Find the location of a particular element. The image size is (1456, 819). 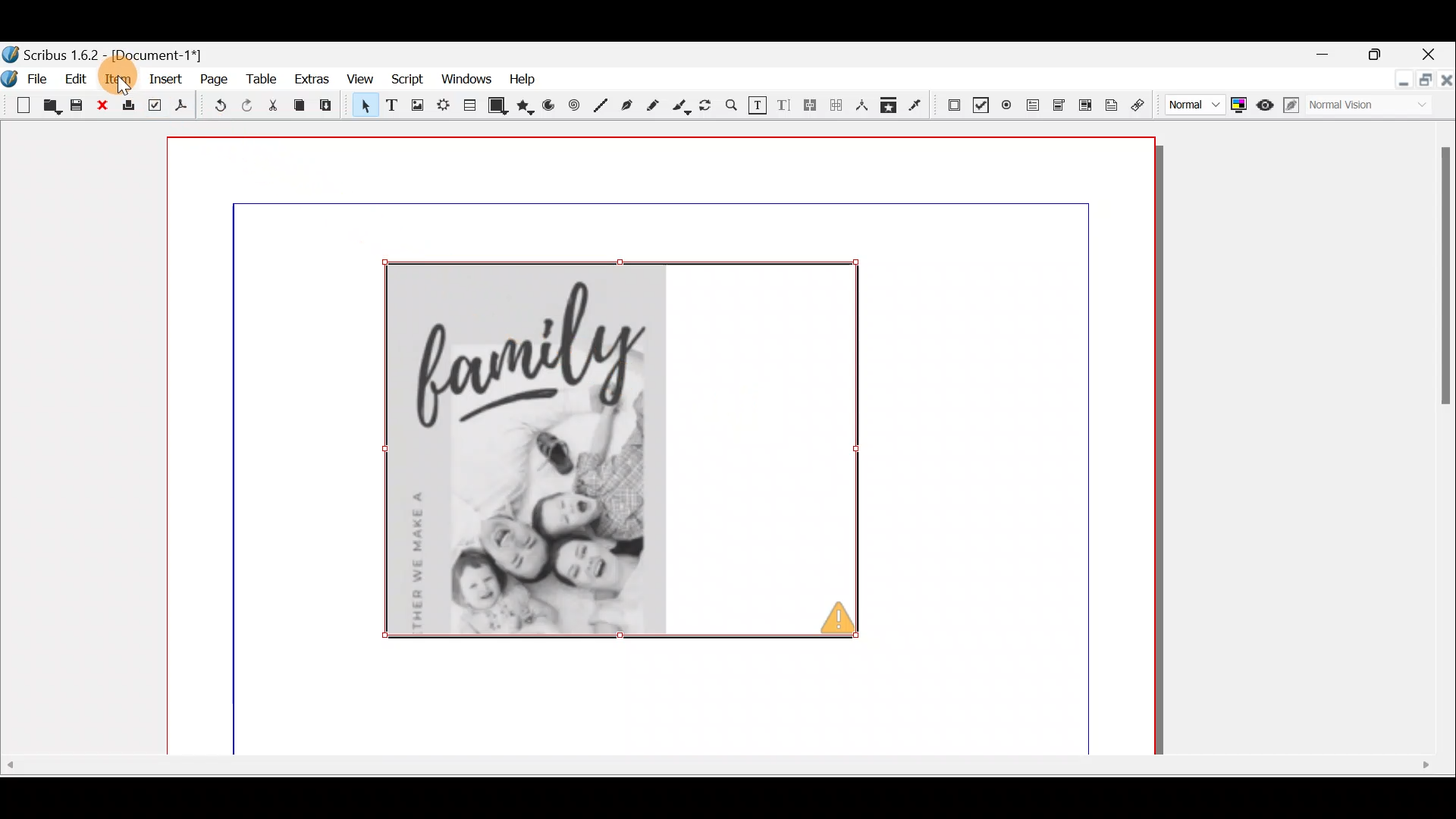

Insert is located at coordinates (168, 82).